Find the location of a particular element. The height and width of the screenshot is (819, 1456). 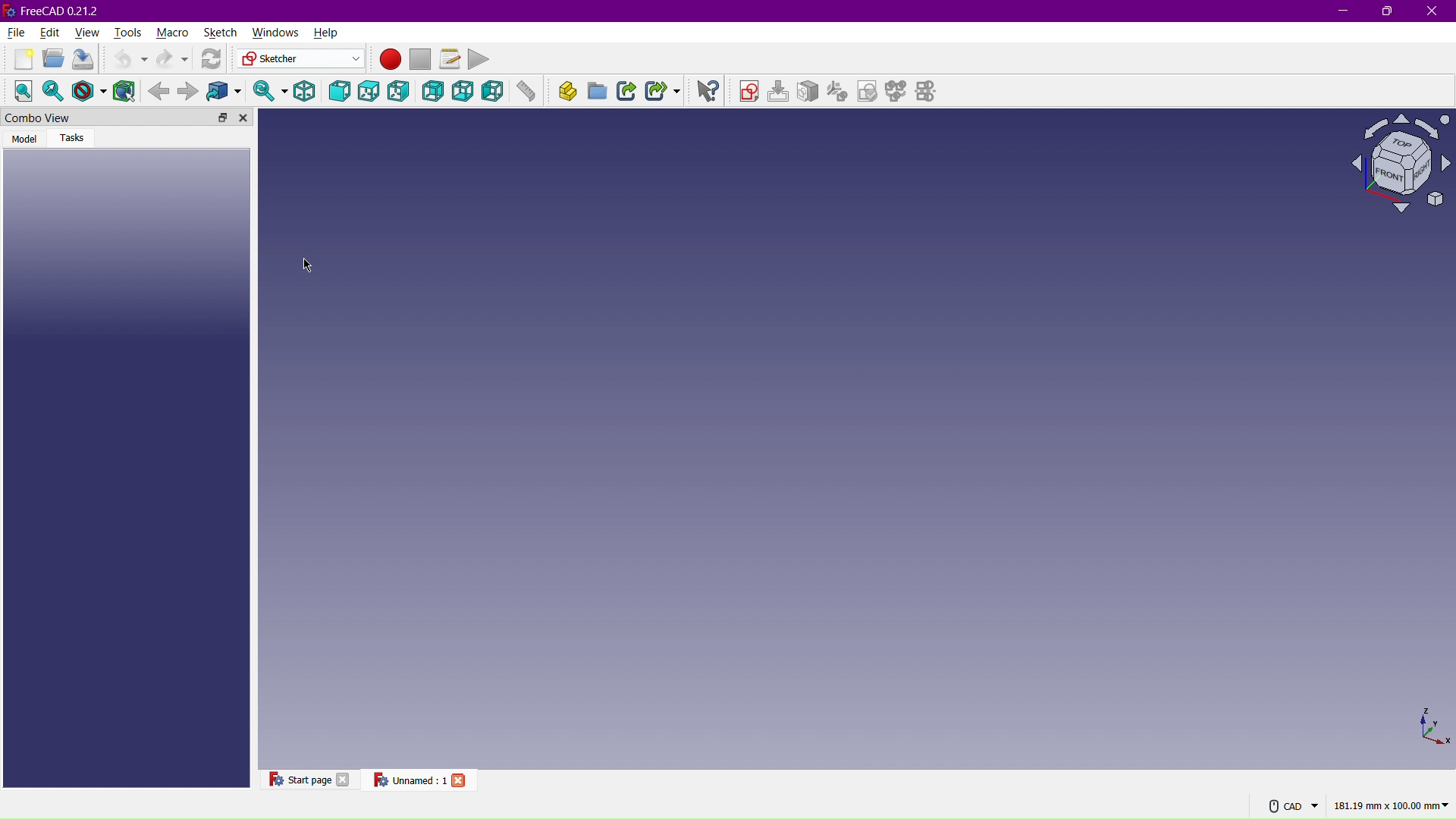

Windows is located at coordinates (274, 33).